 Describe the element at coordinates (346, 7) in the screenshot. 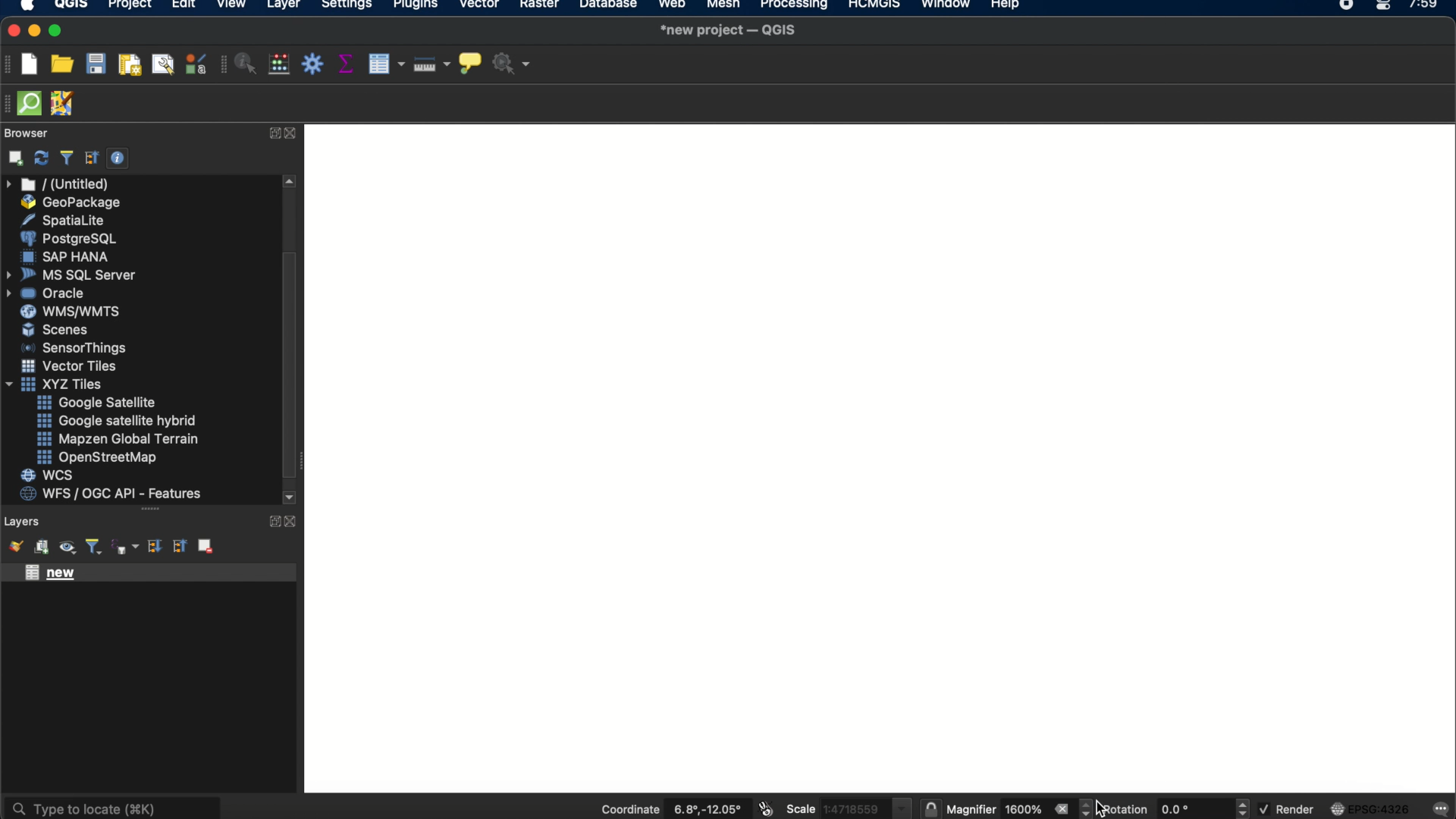

I see `settings` at that location.